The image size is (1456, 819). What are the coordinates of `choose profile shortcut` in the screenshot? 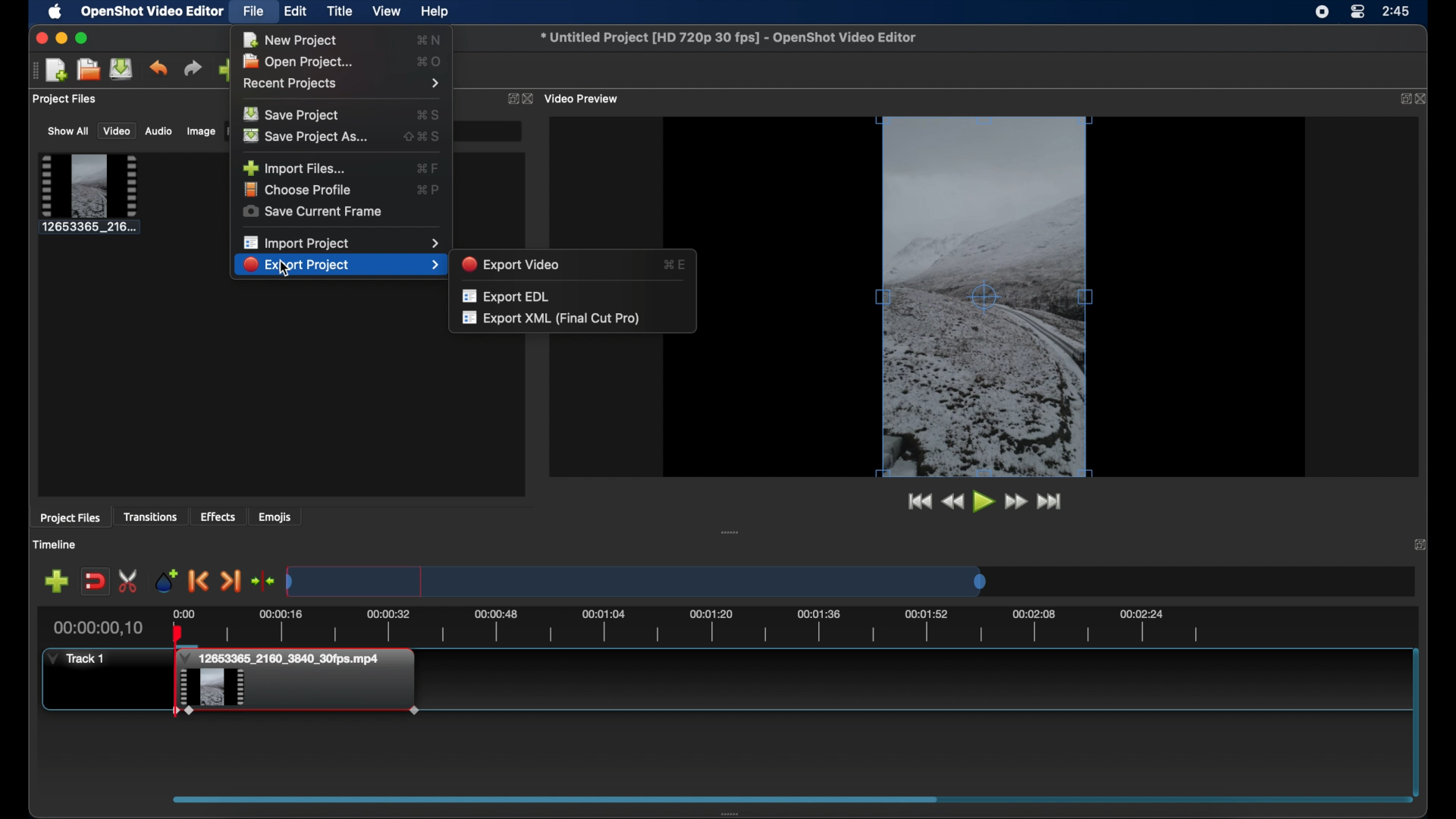 It's located at (428, 189).